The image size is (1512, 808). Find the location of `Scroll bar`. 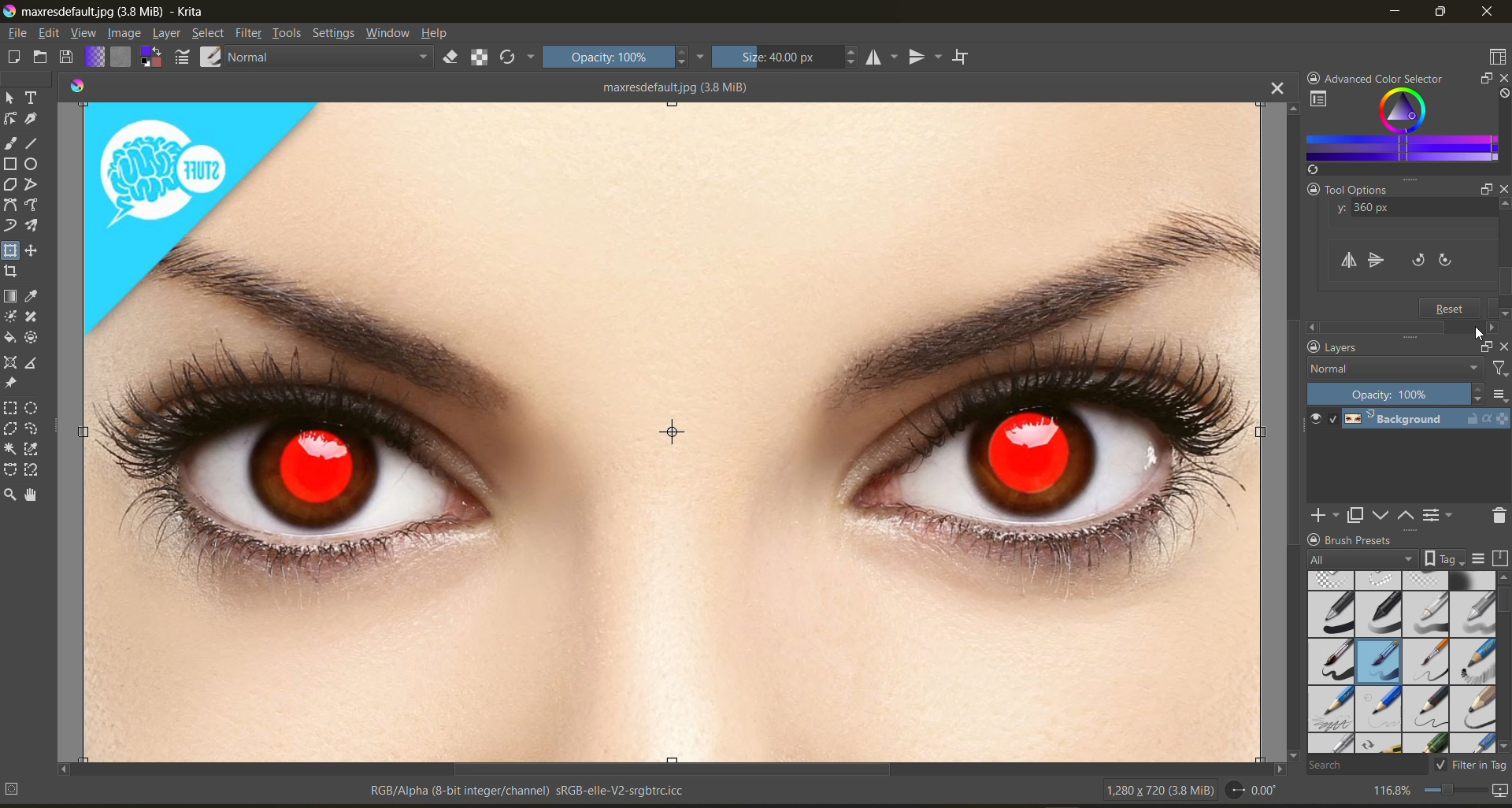

Scroll bar is located at coordinates (1506, 263).